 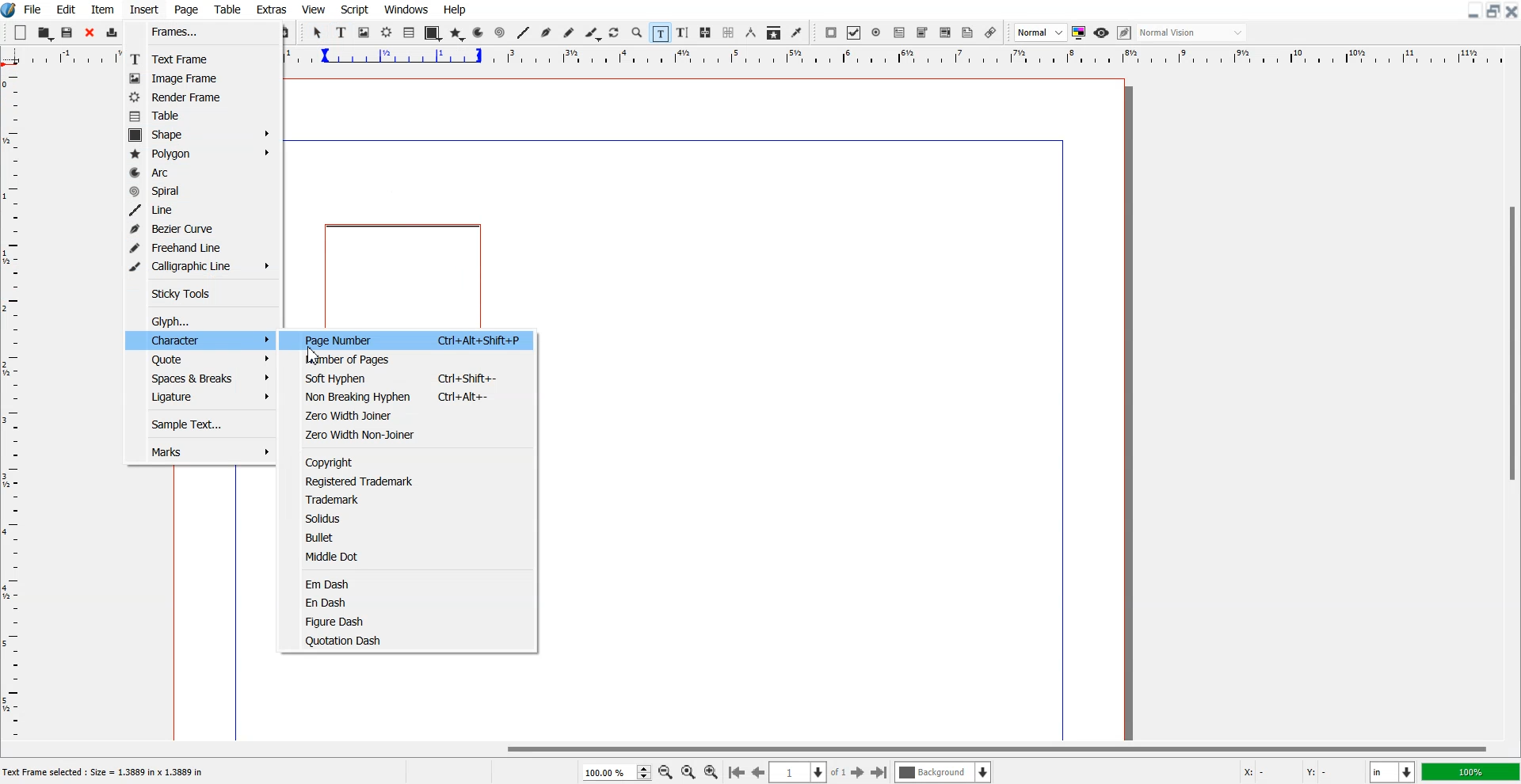 I want to click on Close, so click(x=1511, y=10).